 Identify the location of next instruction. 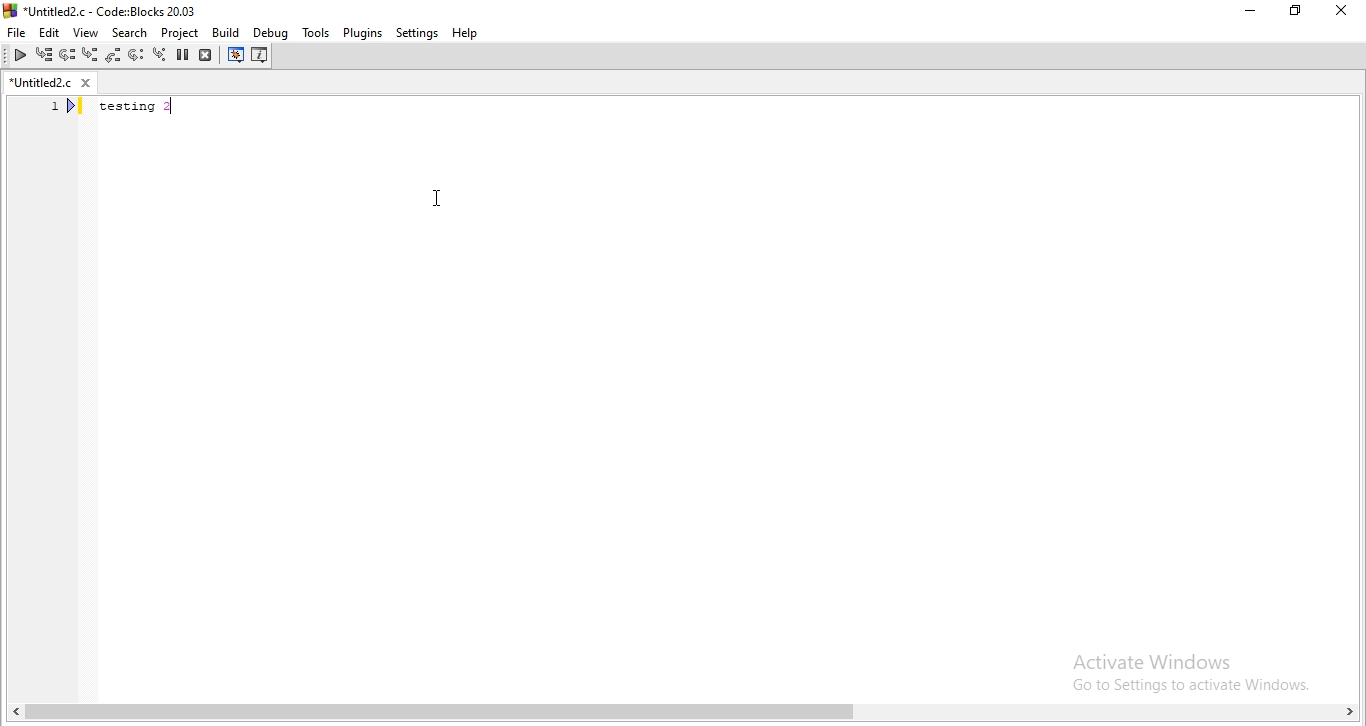
(114, 56).